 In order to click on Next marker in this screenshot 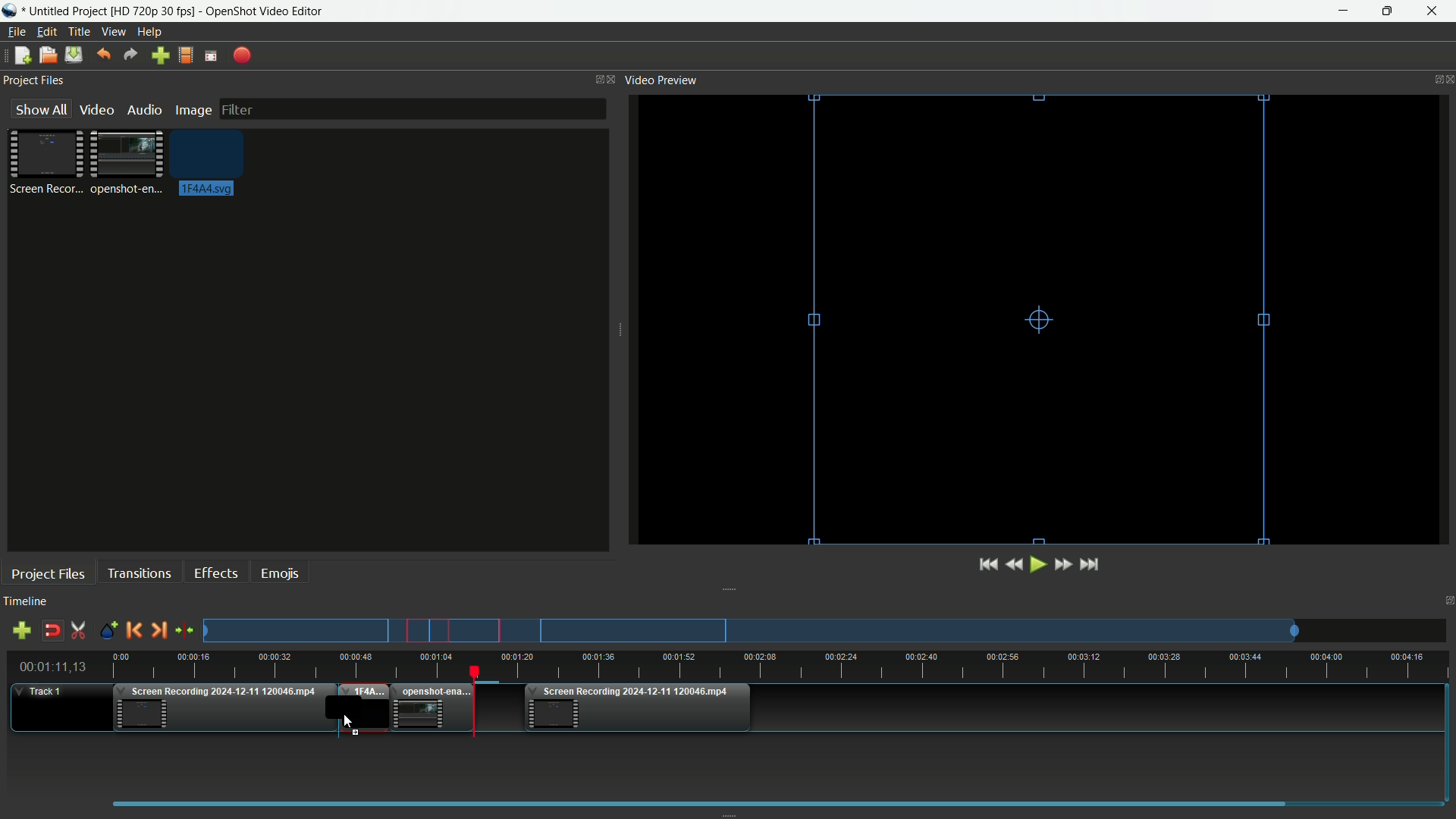, I will do `click(157, 631)`.